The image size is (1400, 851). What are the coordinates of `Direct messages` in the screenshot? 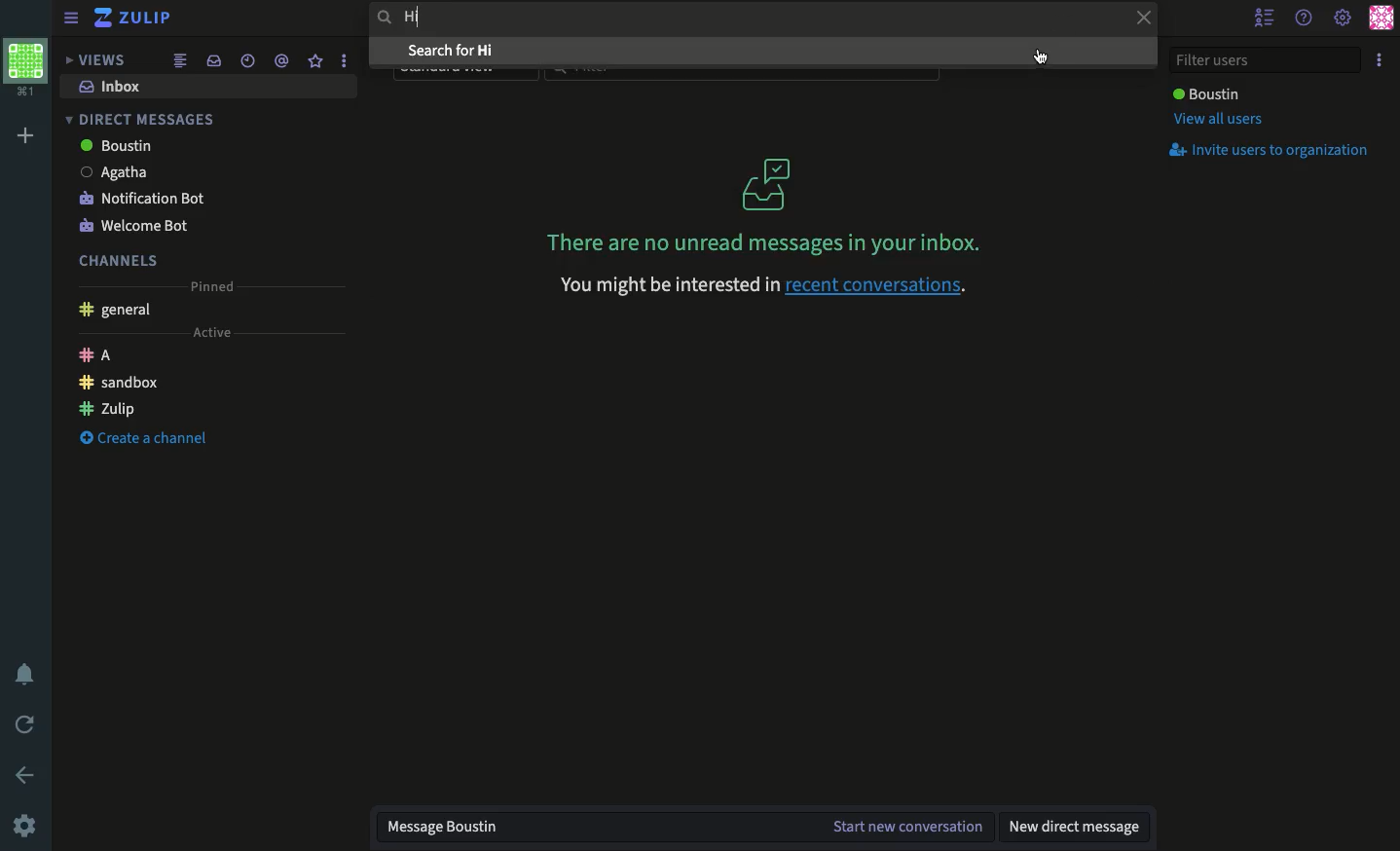 It's located at (142, 121).